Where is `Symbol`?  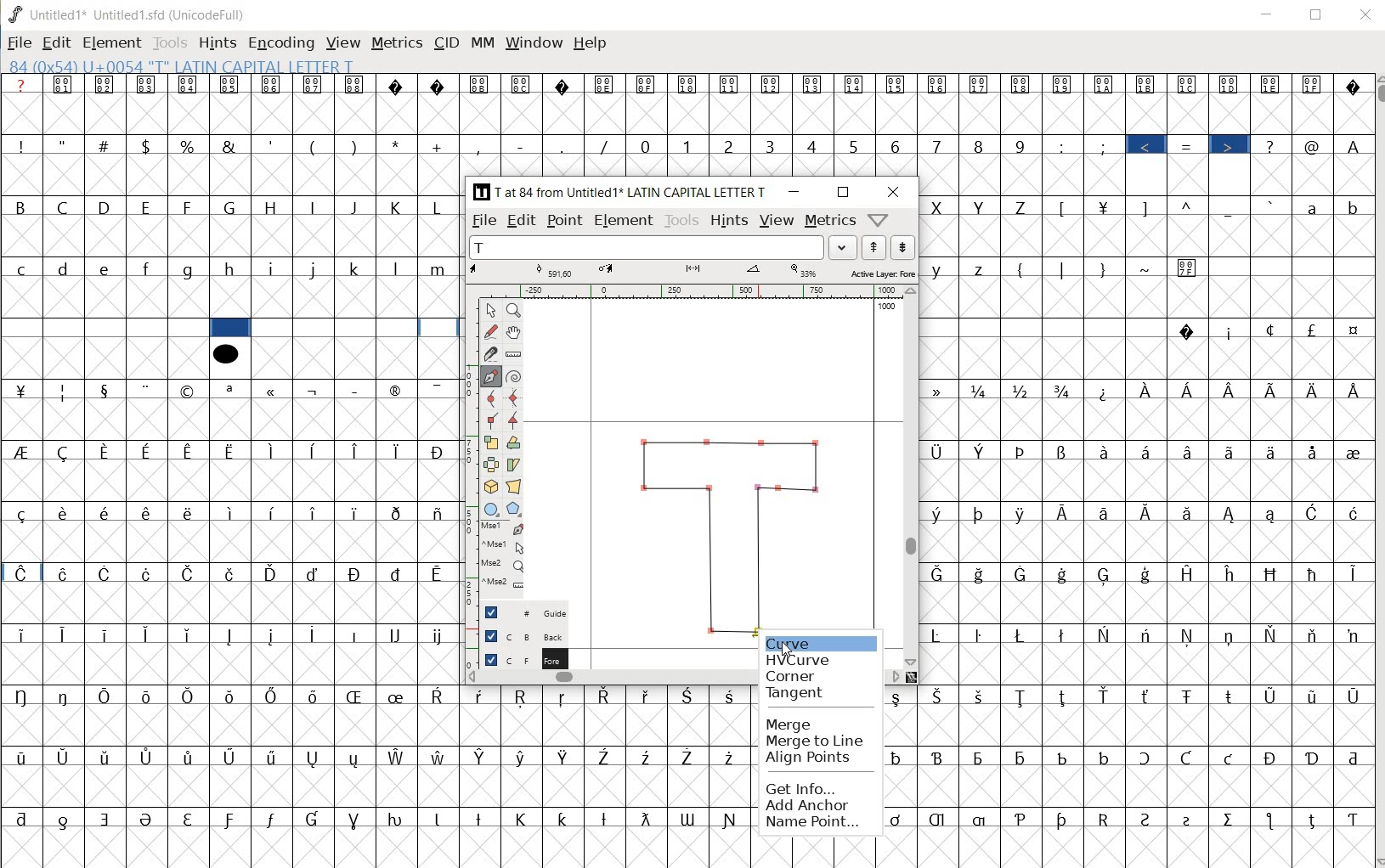 Symbol is located at coordinates (357, 451).